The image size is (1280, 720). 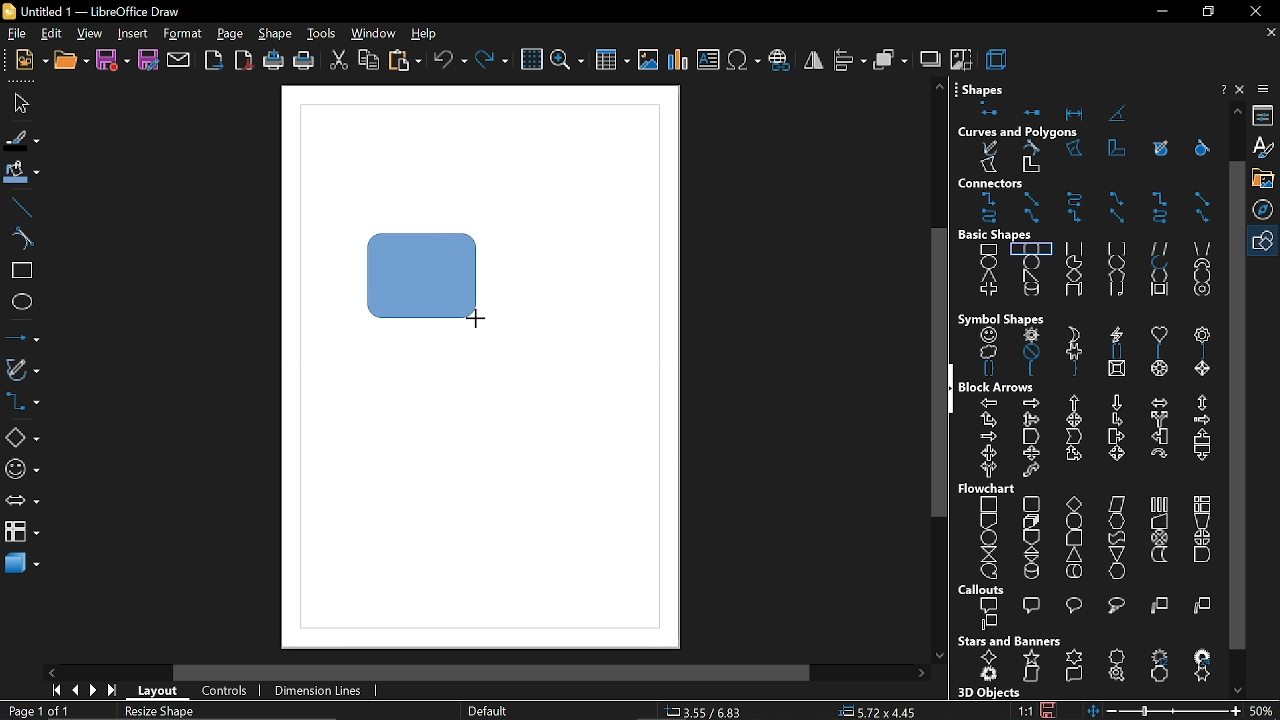 I want to click on open, so click(x=70, y=61).